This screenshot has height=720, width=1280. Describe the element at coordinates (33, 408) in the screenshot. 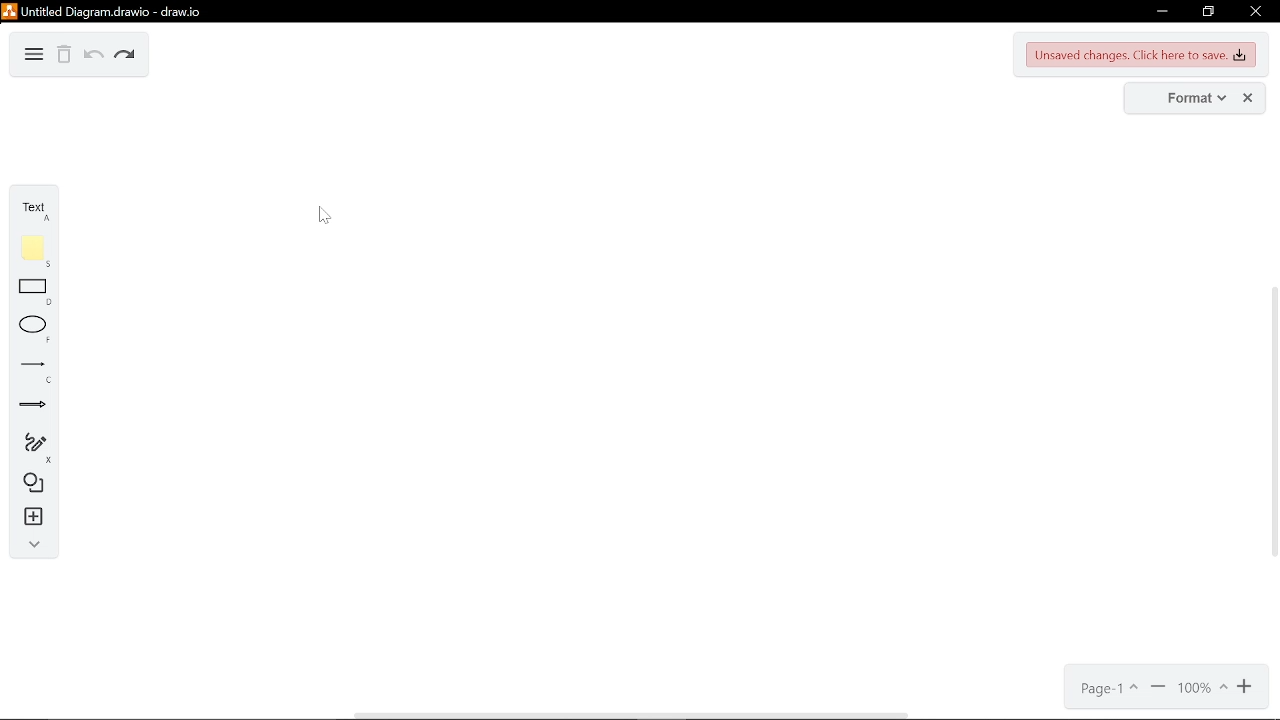

I see `arrows` at that location.